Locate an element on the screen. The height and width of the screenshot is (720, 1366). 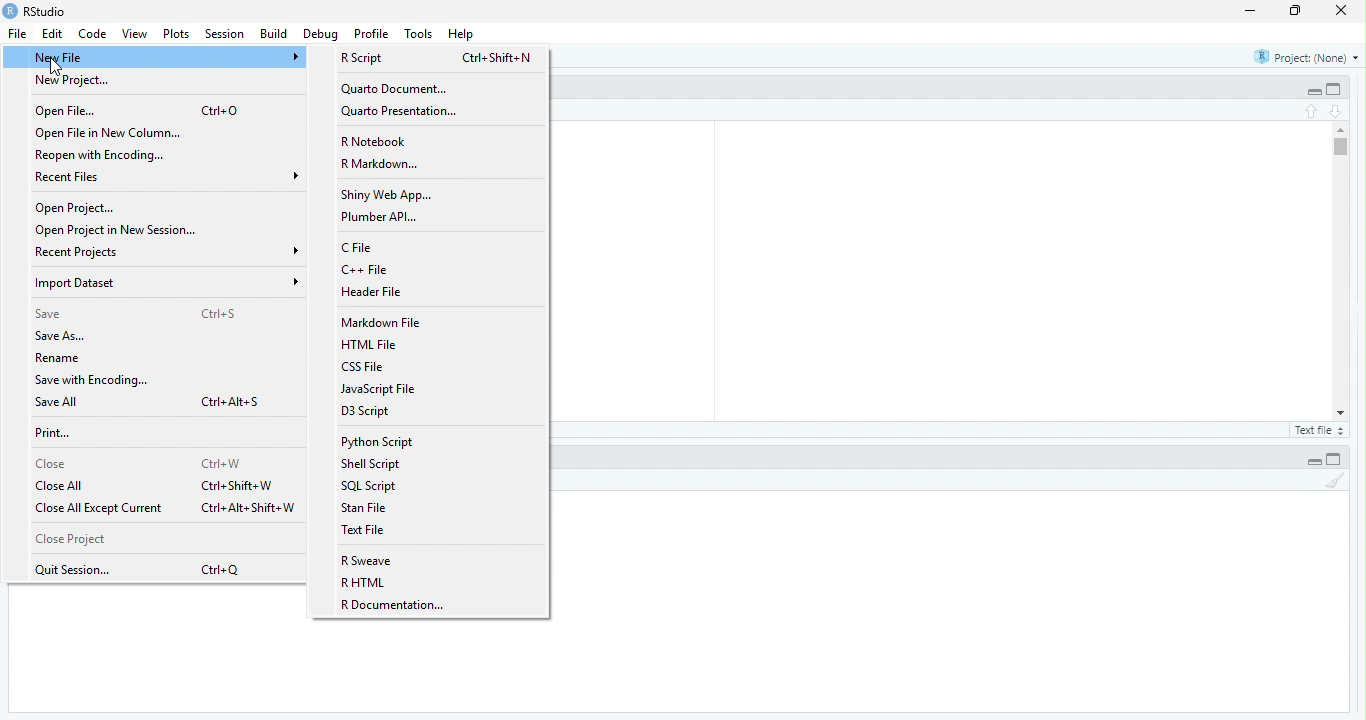
scroll down is located at coordinates (1342, 413).